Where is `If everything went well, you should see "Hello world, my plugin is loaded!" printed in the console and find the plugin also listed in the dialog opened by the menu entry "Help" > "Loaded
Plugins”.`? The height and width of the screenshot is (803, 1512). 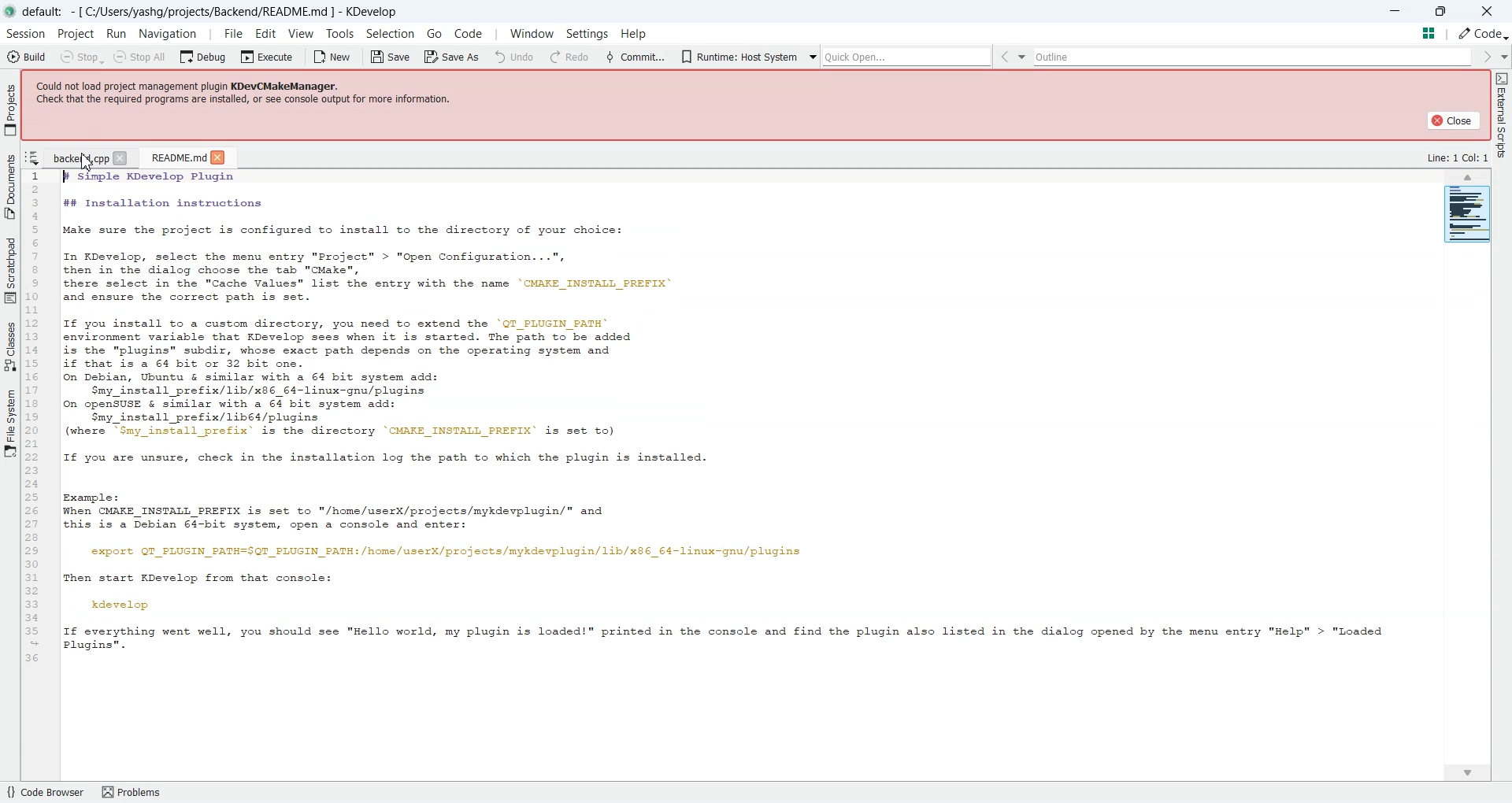 If everything went well, you should see "Hello world, my plugin is loaded!" printed in the console and find the plugin also listed in the dialog opened by the menu entry "Help" > "Loaded
Plugins”. is located at coordinates (728, 642).